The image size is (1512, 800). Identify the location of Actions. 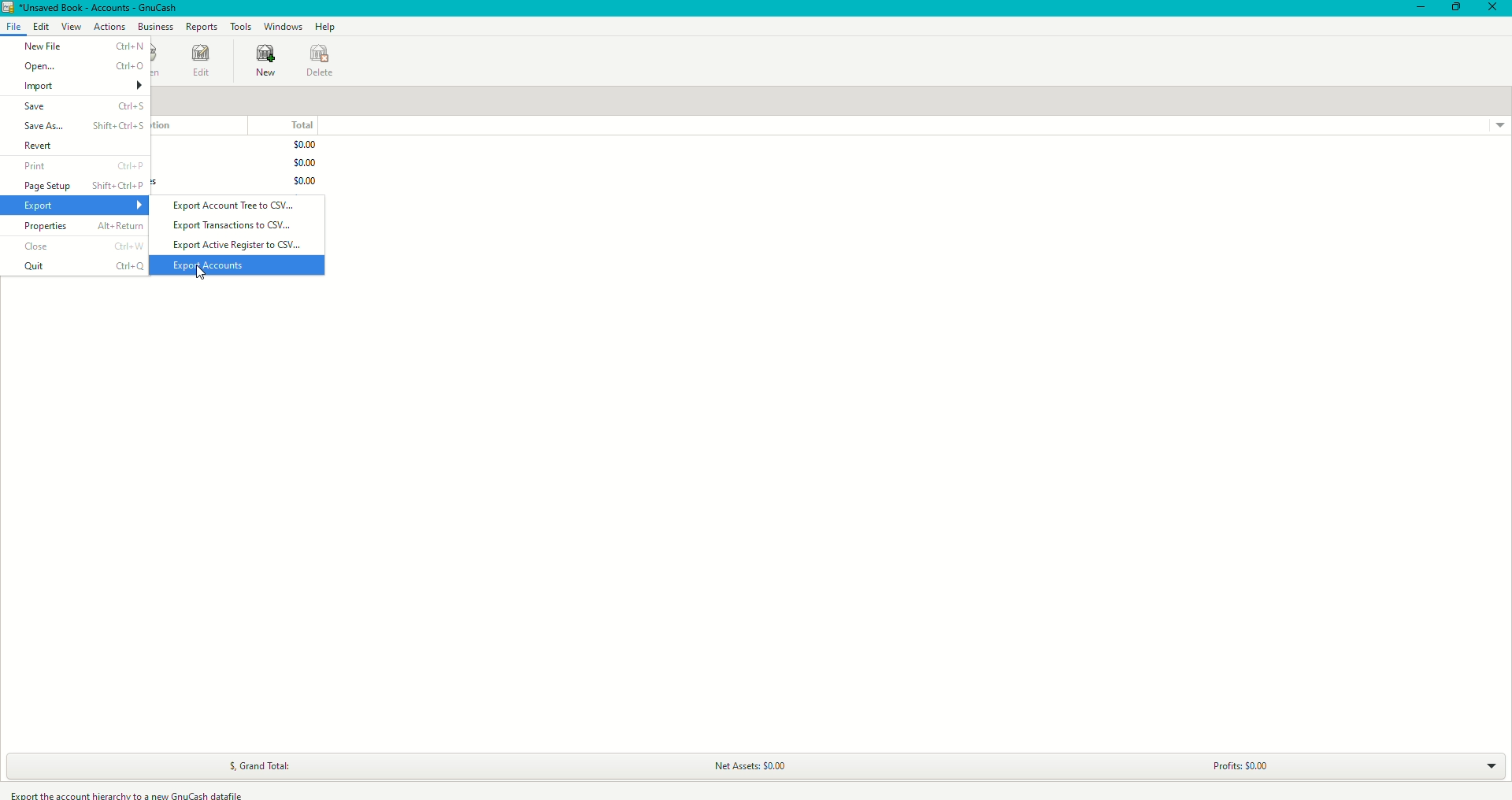
(108, 28).